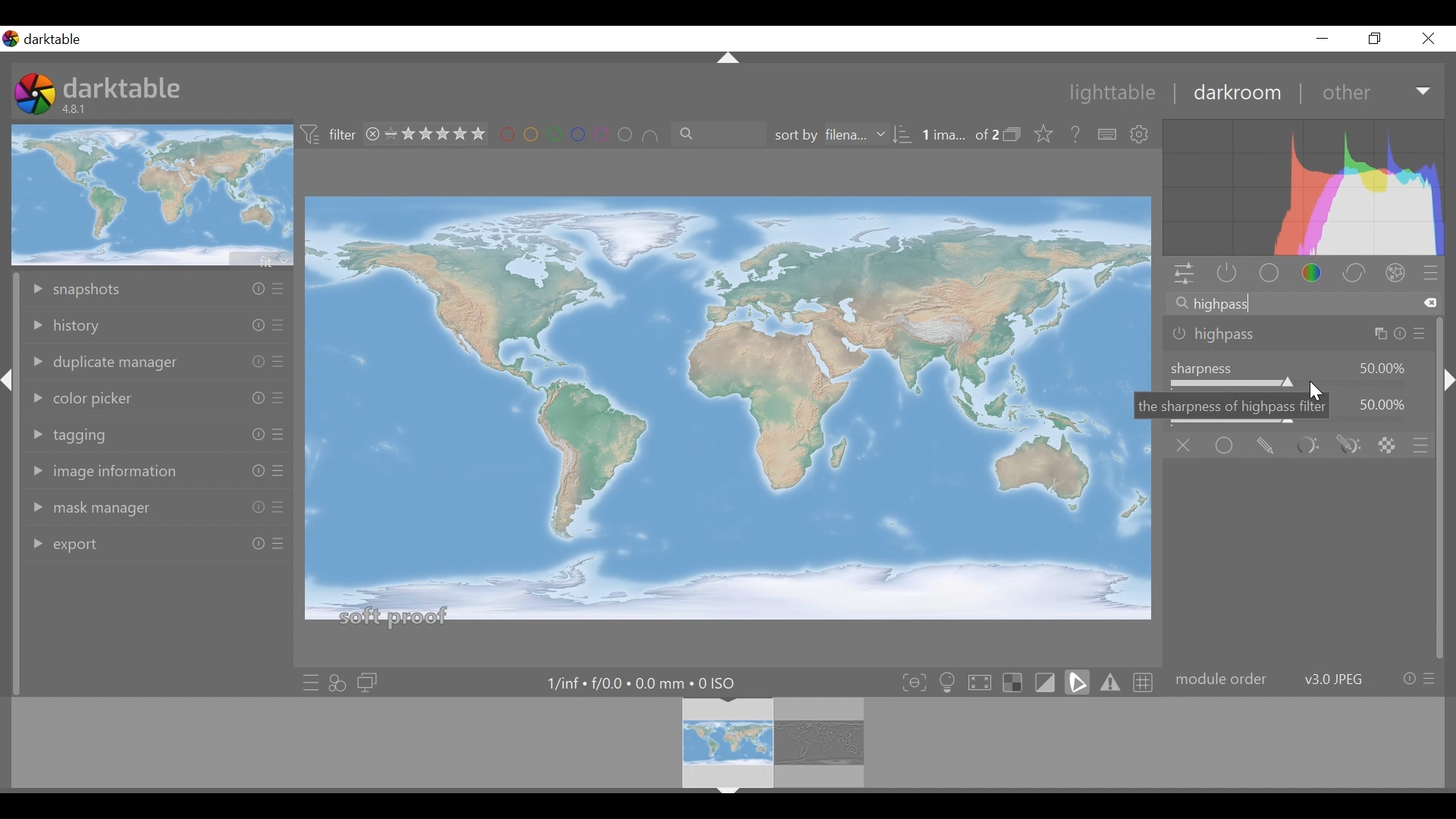  I want to click on duplicate manager, so click(158, 361).